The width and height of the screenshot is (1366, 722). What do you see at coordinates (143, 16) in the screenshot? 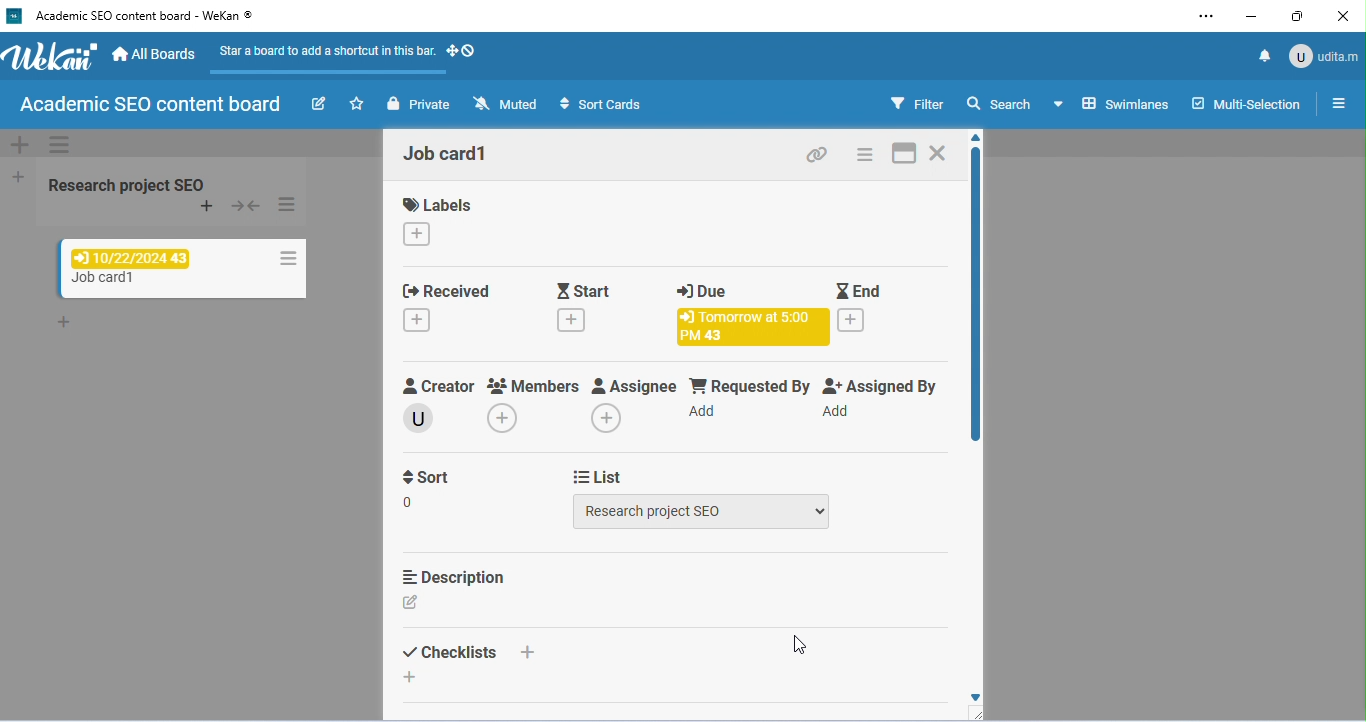
I see `current window: ‘Academic SEO content board - WeKan` at bounding box center [143, 16].